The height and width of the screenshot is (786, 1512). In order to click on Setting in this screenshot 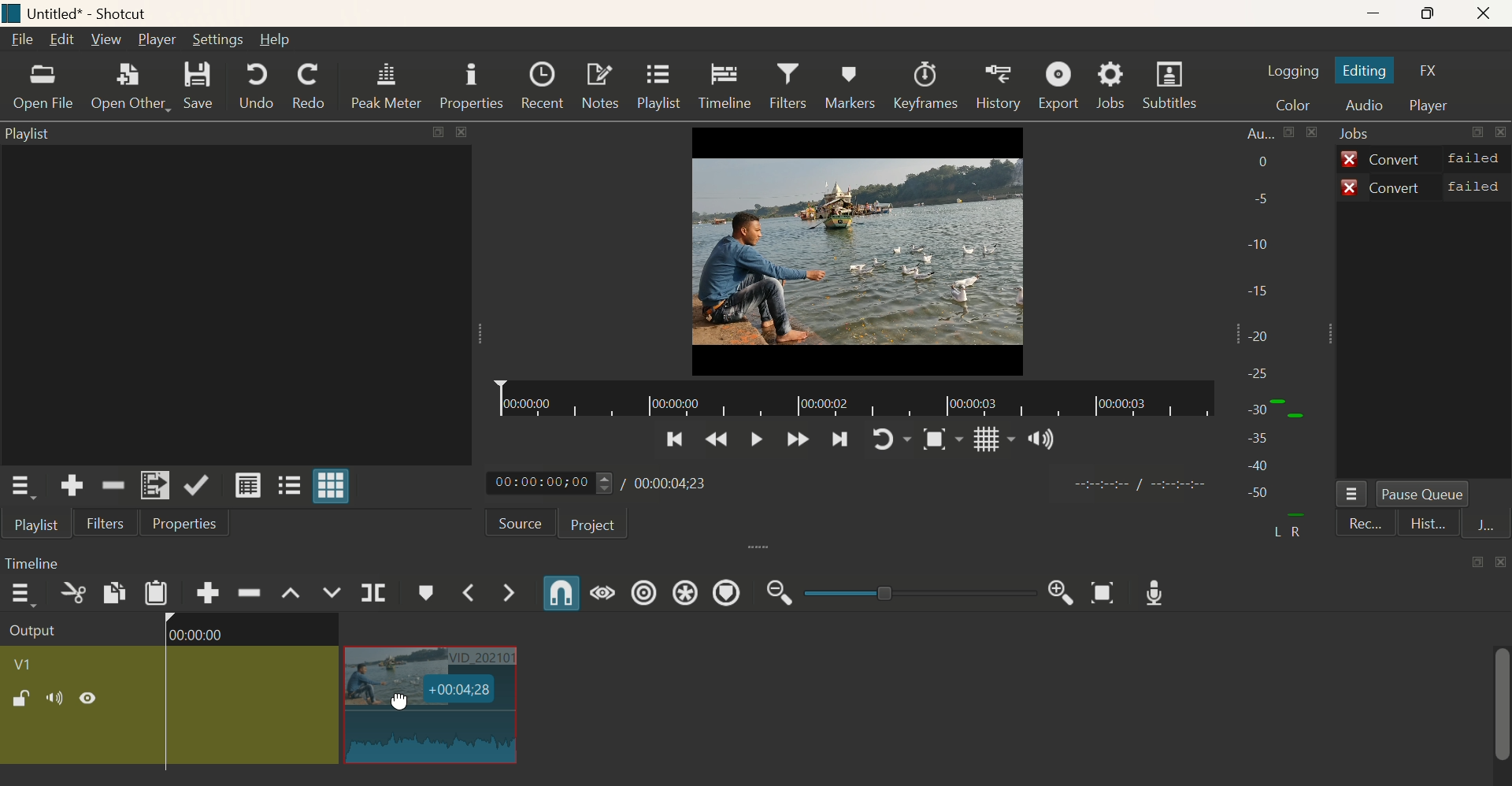, I will do `click(221, 40)`.